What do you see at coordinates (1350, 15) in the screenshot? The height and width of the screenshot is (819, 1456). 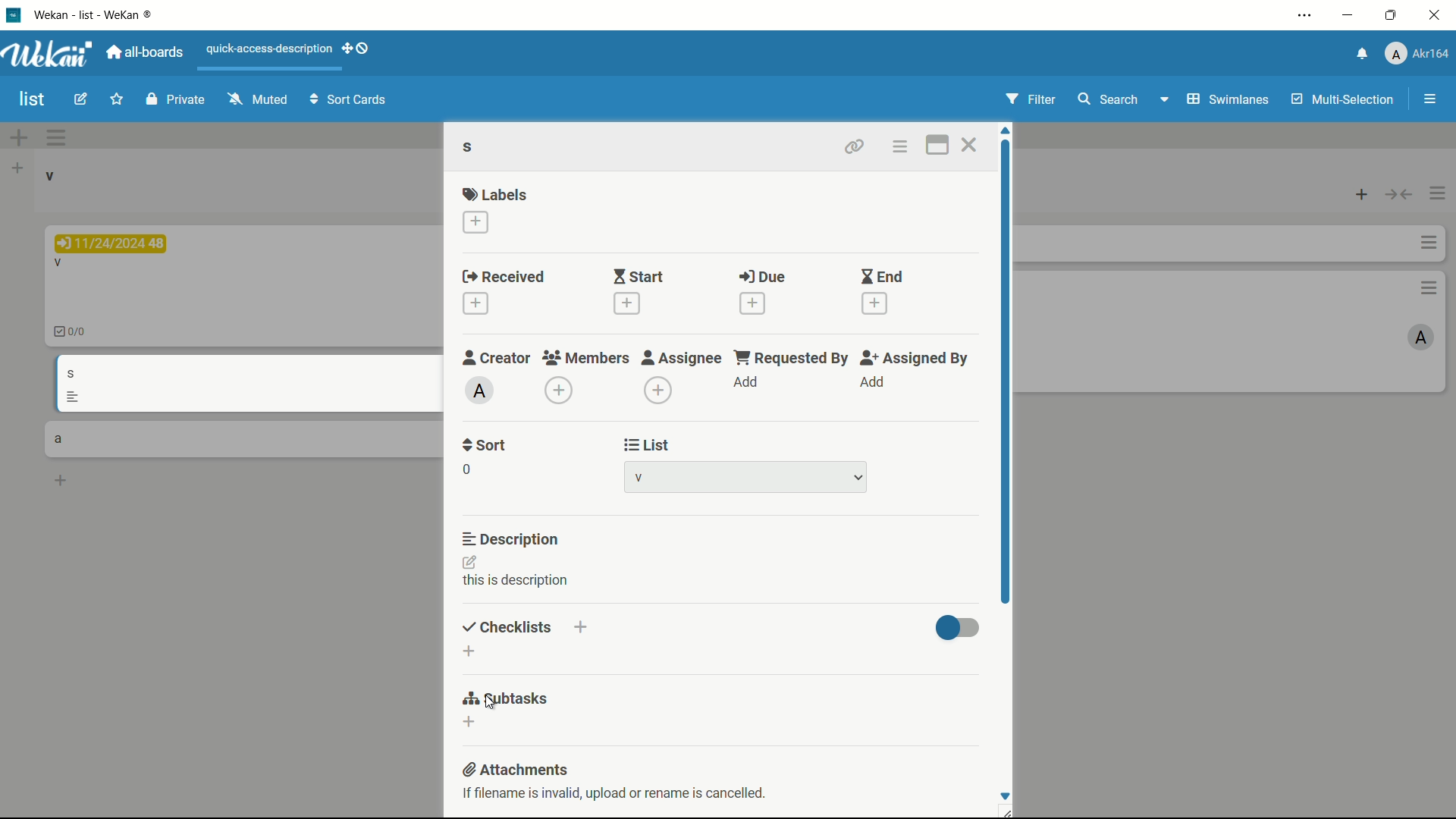 I see `minimize` at bounding box center [1350, 15].